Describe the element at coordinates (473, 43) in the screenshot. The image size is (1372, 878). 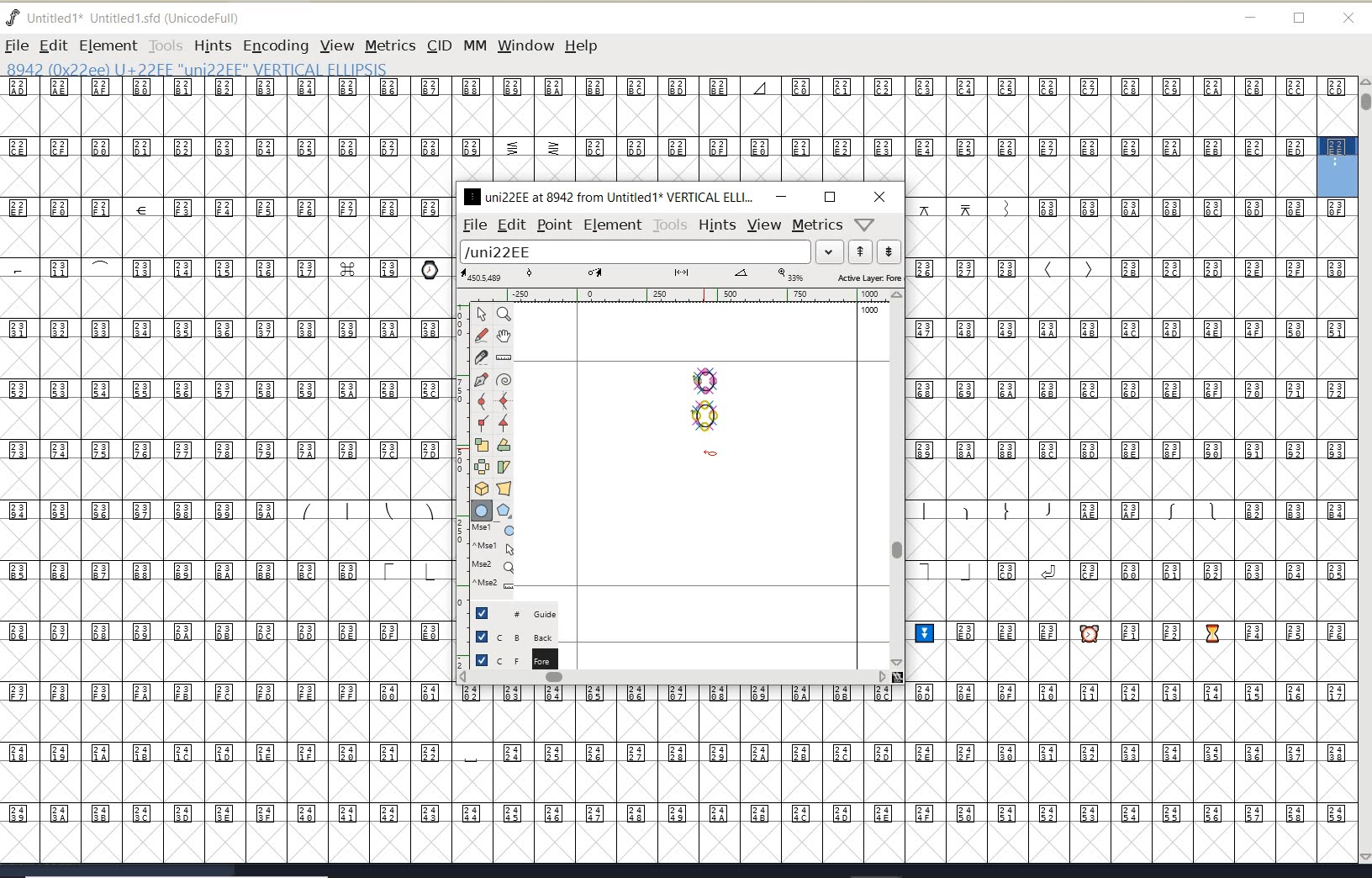
I see `mm` at that location.